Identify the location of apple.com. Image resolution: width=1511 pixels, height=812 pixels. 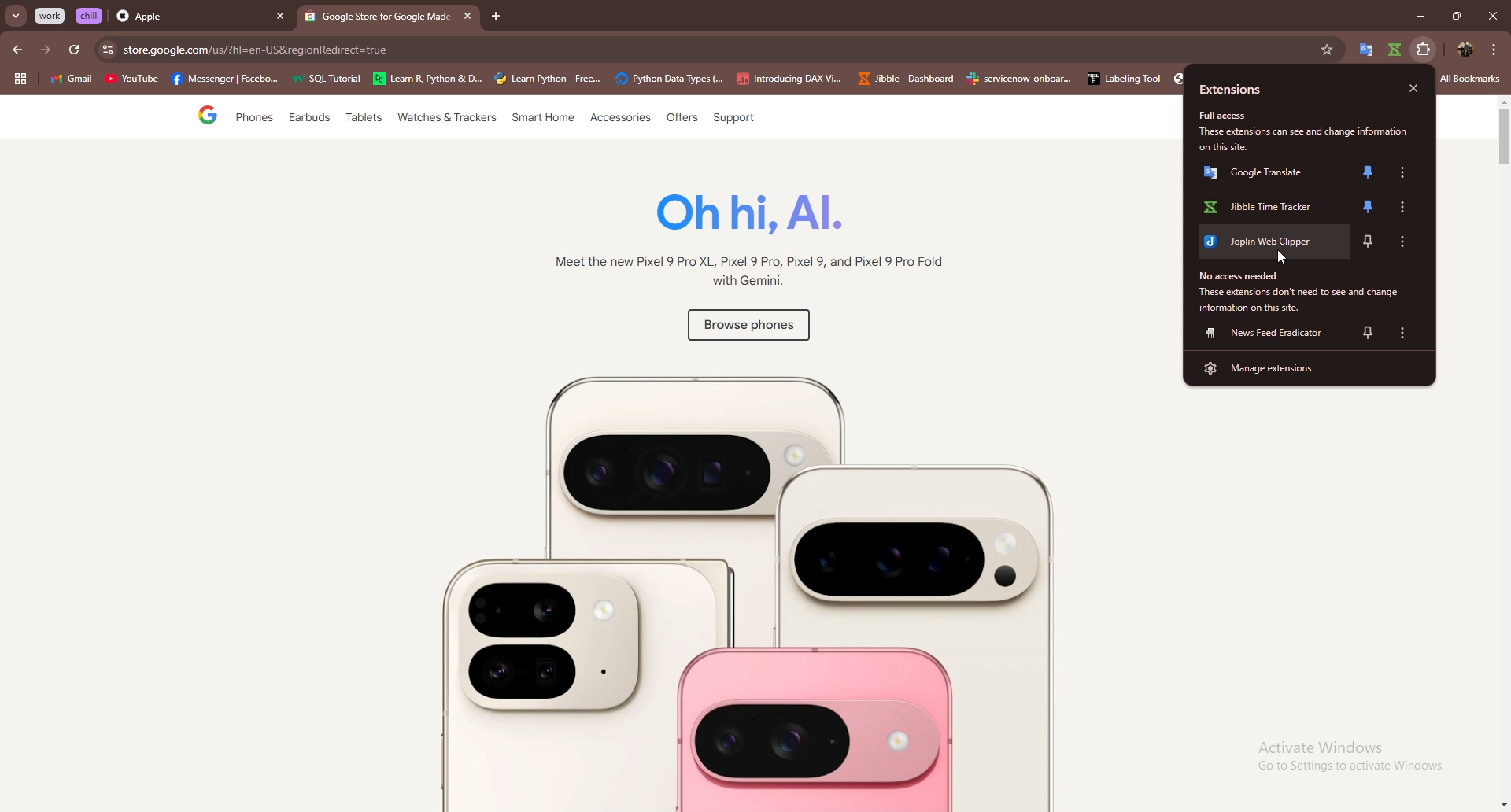
(713, 50).